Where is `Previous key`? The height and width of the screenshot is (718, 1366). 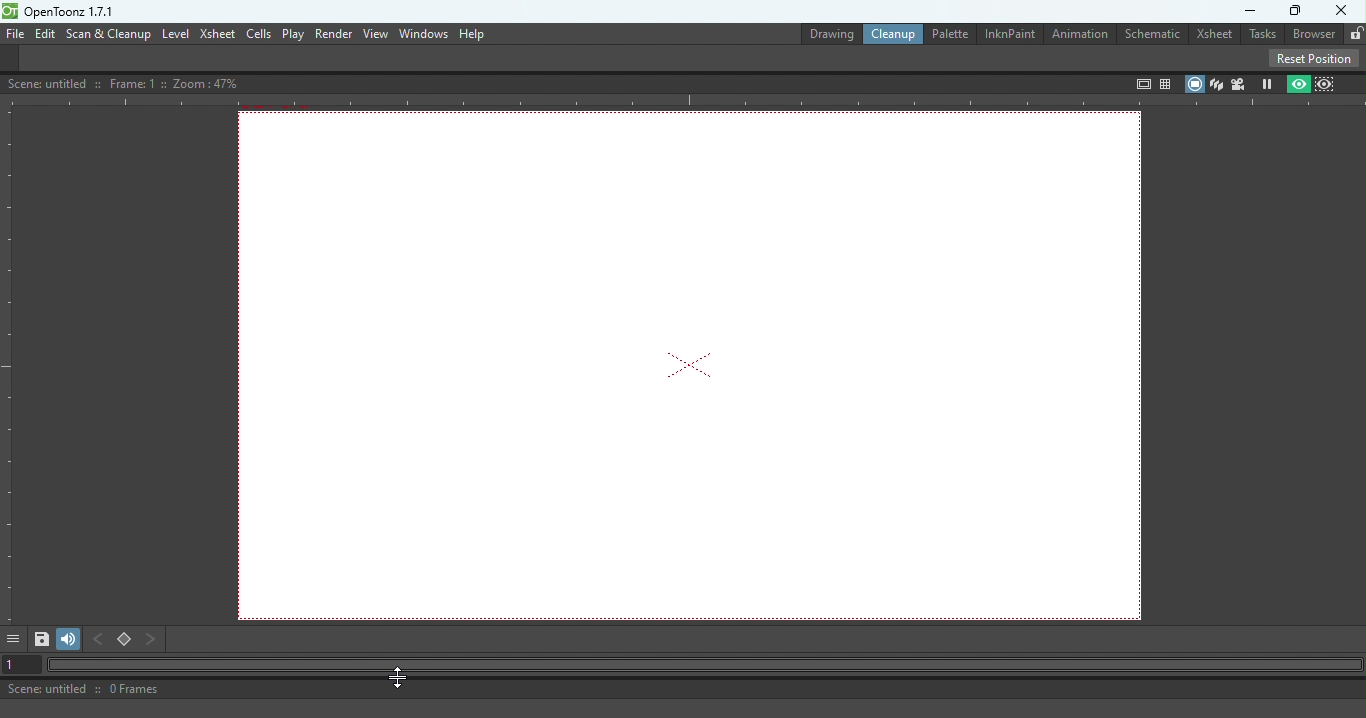
Previous key is located at coordinates (97, 639).